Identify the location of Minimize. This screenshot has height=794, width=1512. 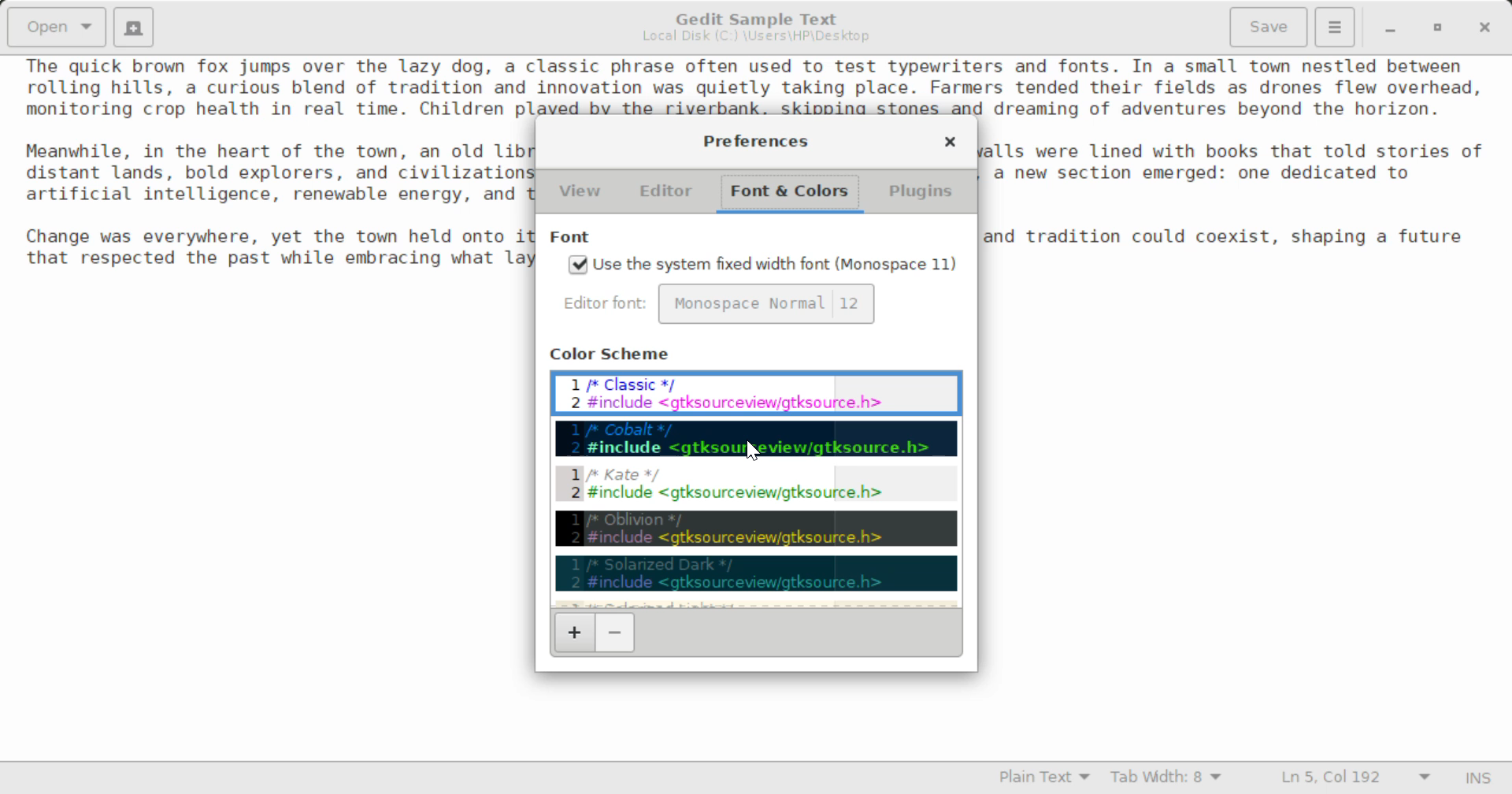
(1440, 28).